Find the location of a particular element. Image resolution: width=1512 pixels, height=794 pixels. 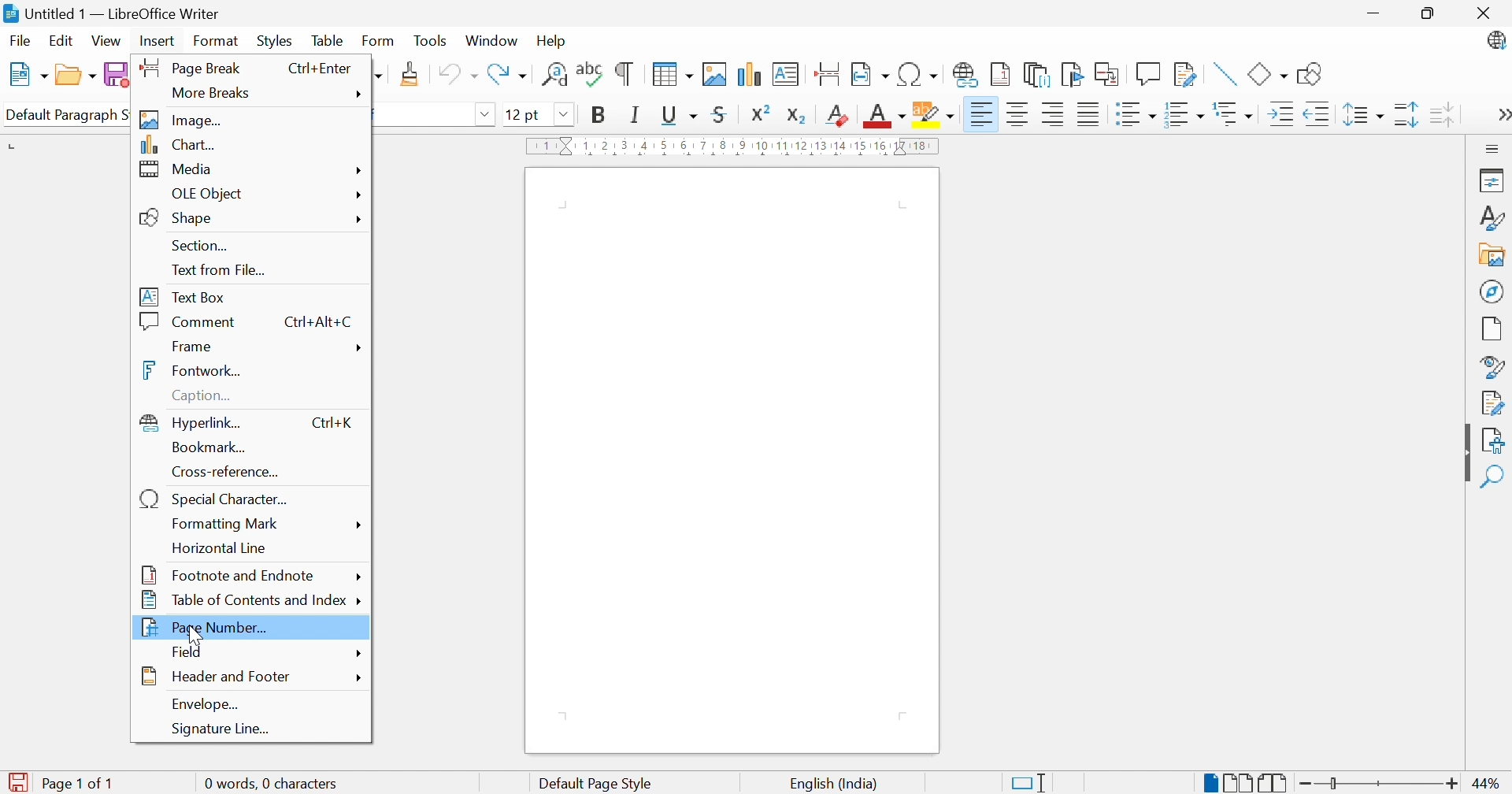

Tools is located at coordinates (430, 41).